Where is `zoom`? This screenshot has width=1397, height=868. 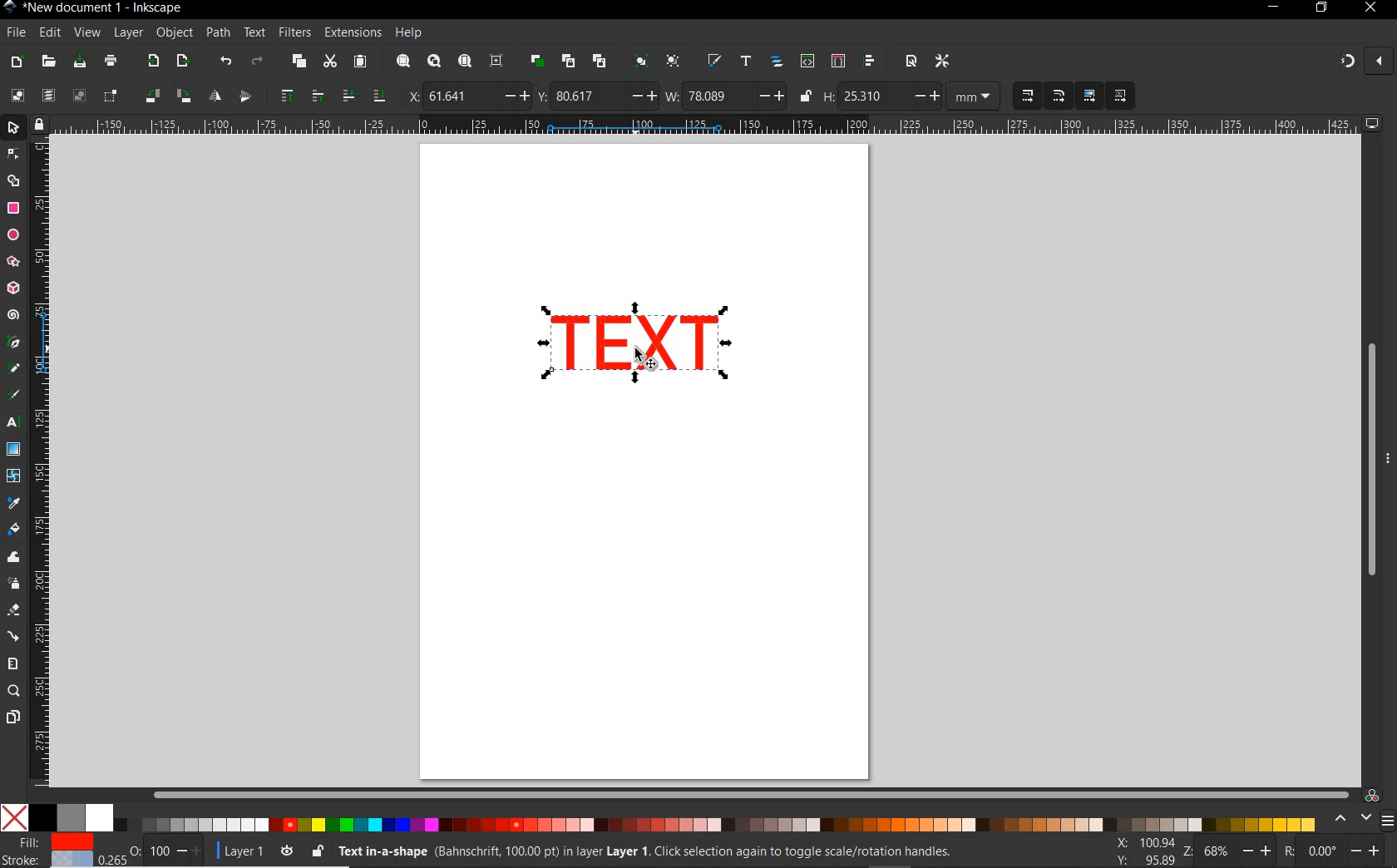
zoom is located at coordinates (1224, 851).